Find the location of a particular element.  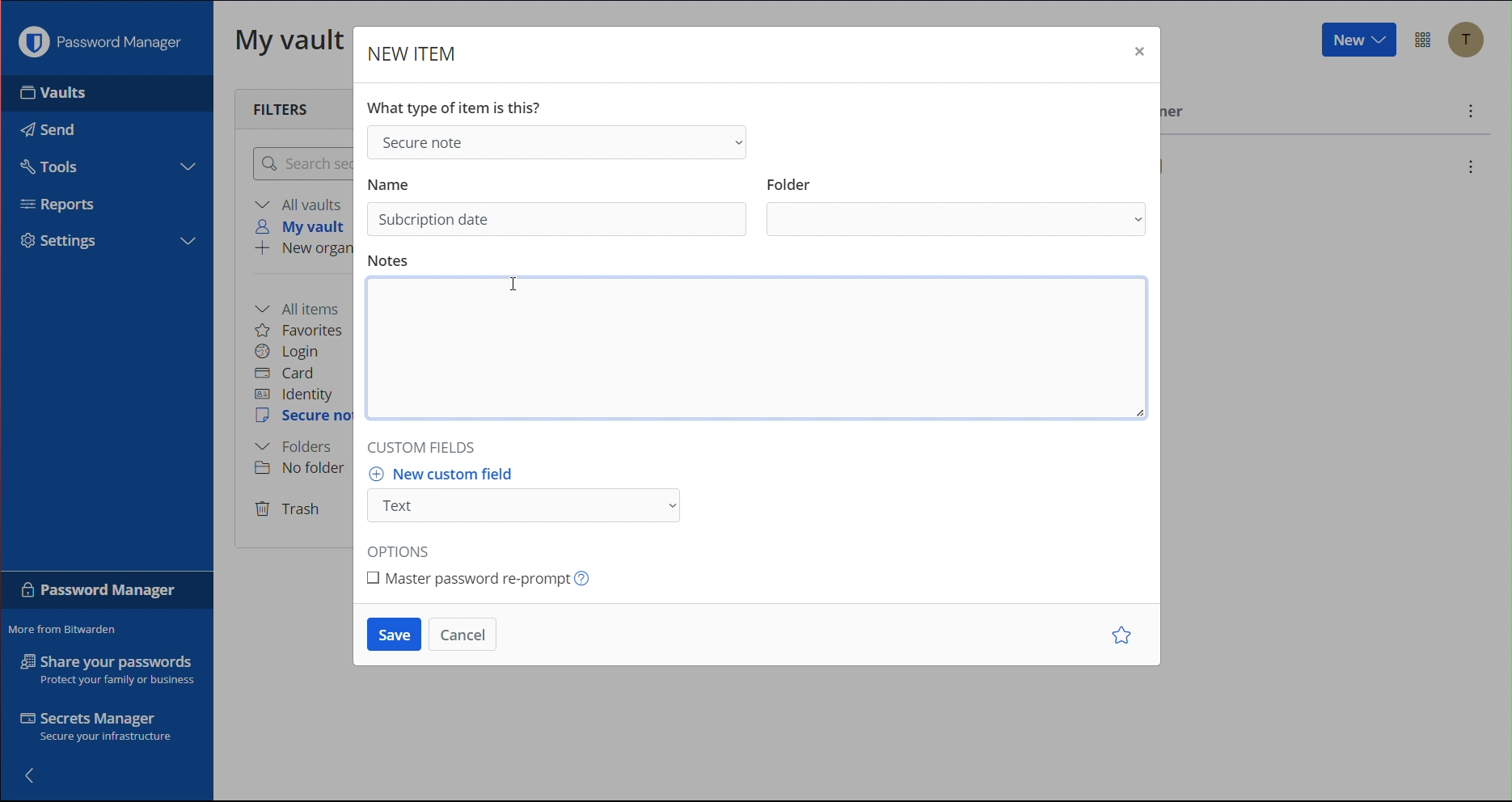

Secure Note is located at coordinates (304, 416).